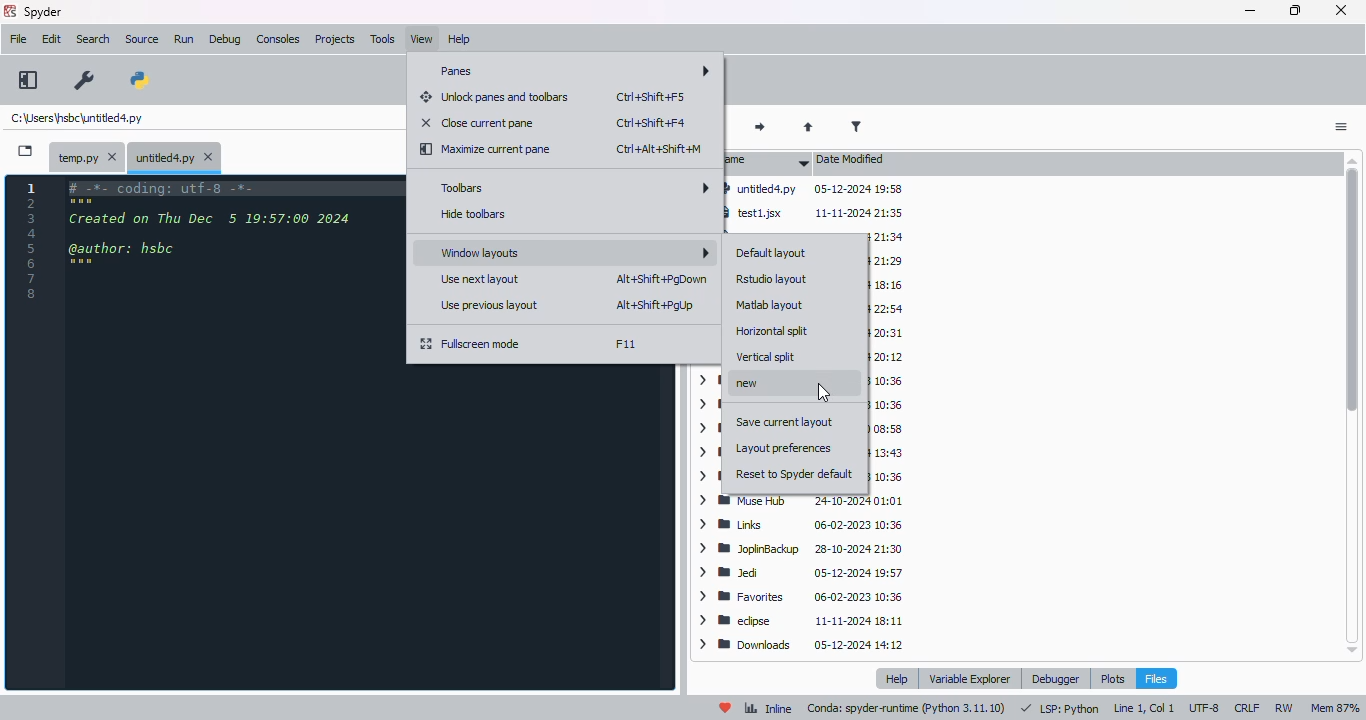 This screenshot has height=720, width=1366. I want to click on test1.jsx, so click(818, 212).